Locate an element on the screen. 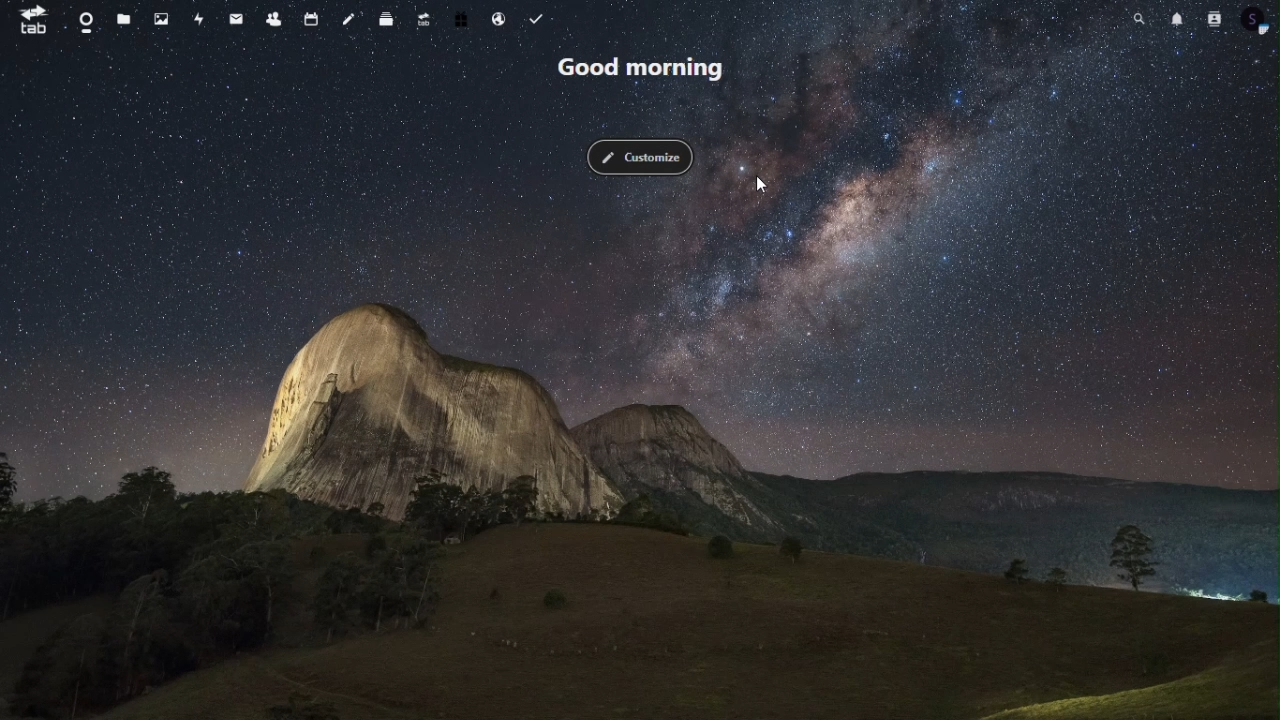 This screenshot has width=1280, height=720. cursor is located at coordinates (763, 185).